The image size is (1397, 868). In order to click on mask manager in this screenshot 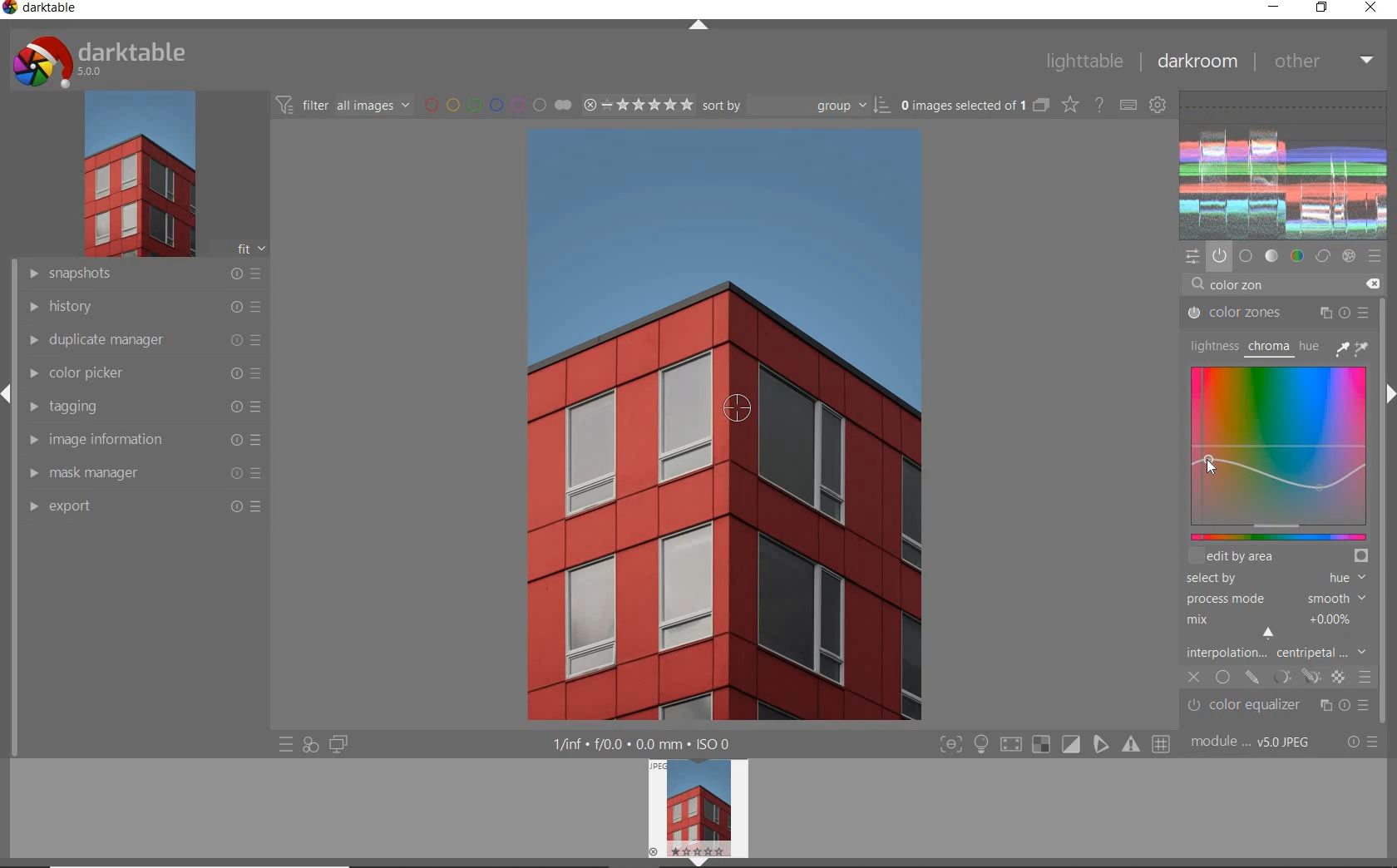, I will do `click(142, 472)`.